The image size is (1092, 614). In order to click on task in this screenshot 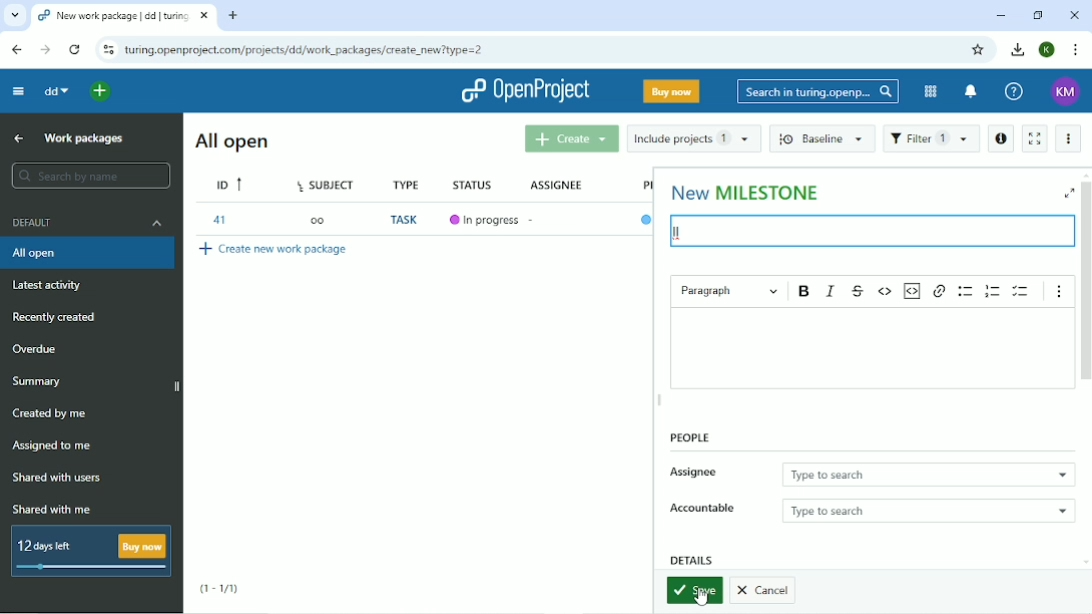, I will do `click(407, 221)`.